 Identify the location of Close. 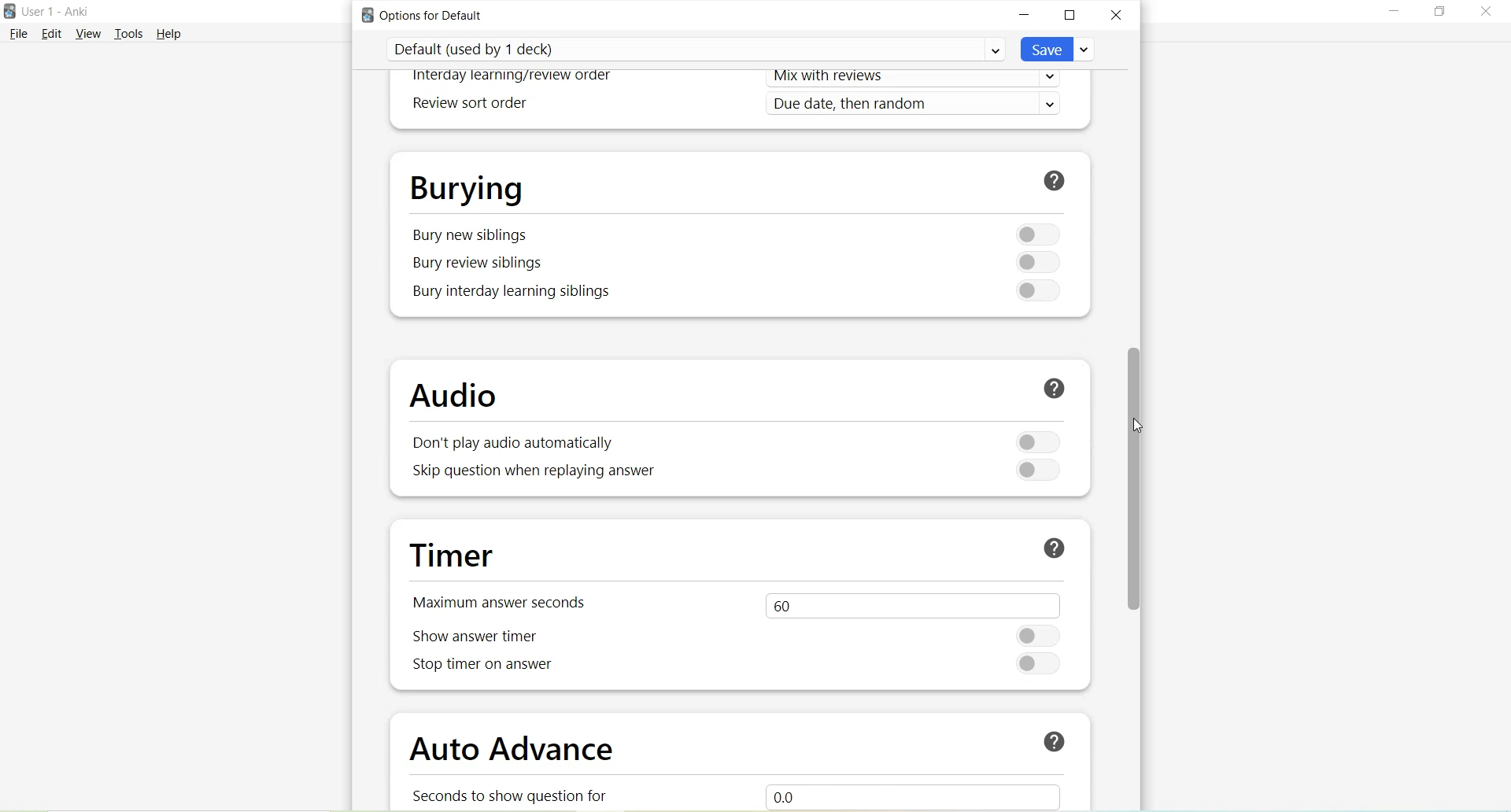
(1484, 14).